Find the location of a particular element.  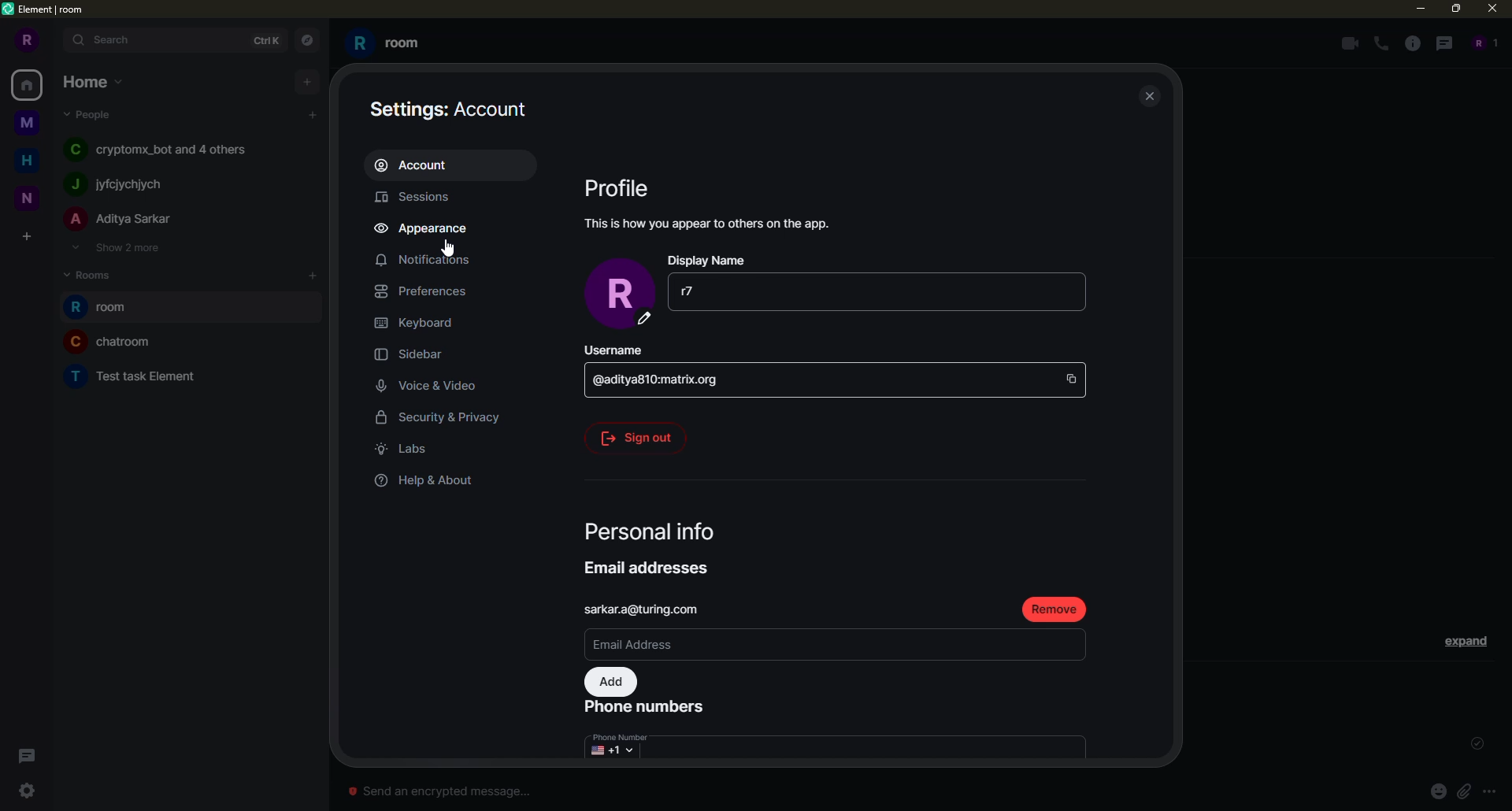

profile is located at coordinates (615, 296).